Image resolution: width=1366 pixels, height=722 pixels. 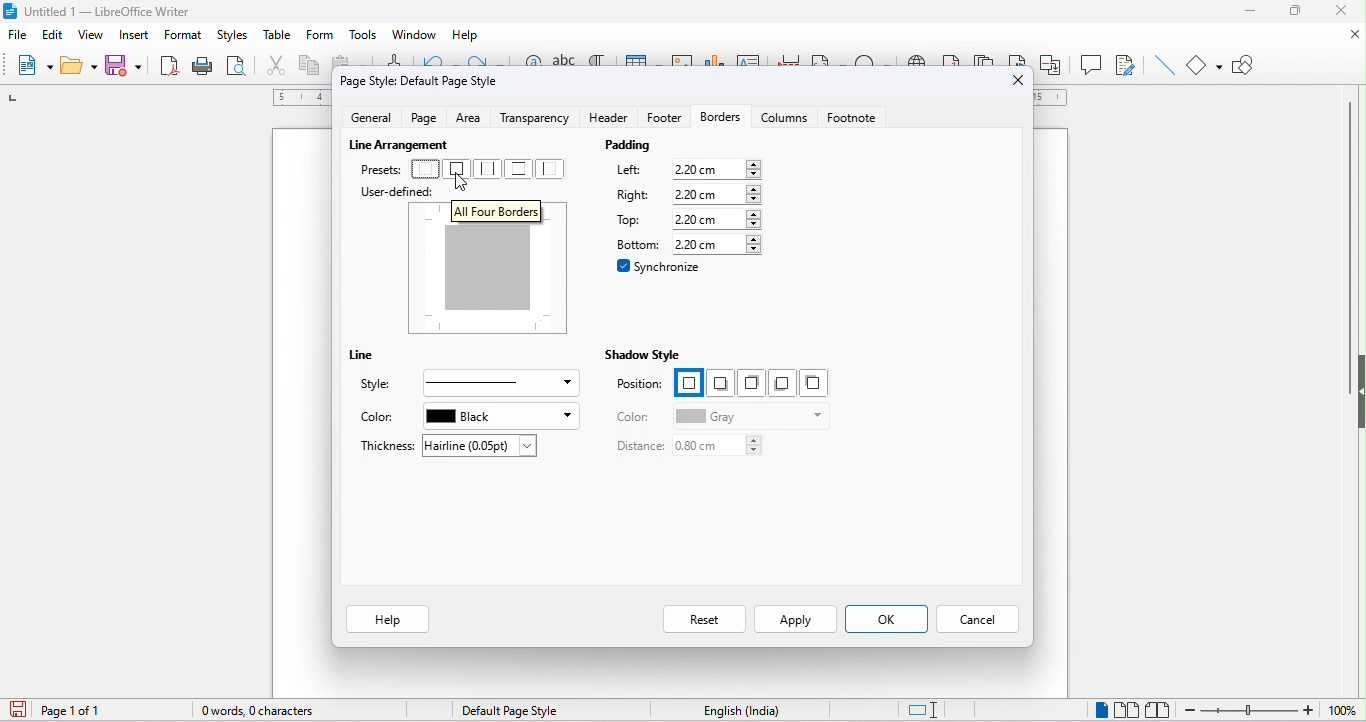 I want to click on form, so click(x=318, y=37).